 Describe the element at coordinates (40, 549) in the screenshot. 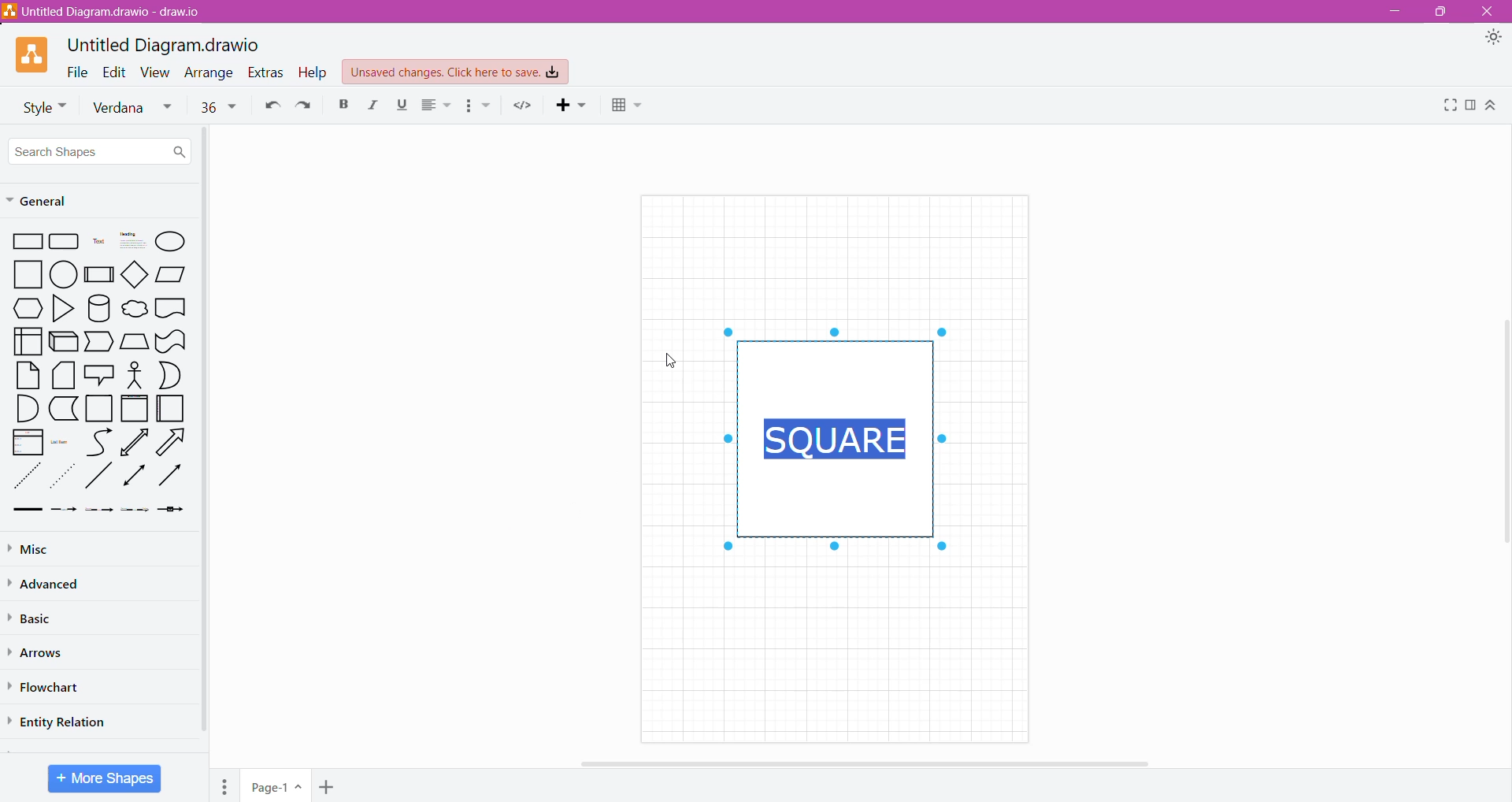

I see `Misc` at that location.